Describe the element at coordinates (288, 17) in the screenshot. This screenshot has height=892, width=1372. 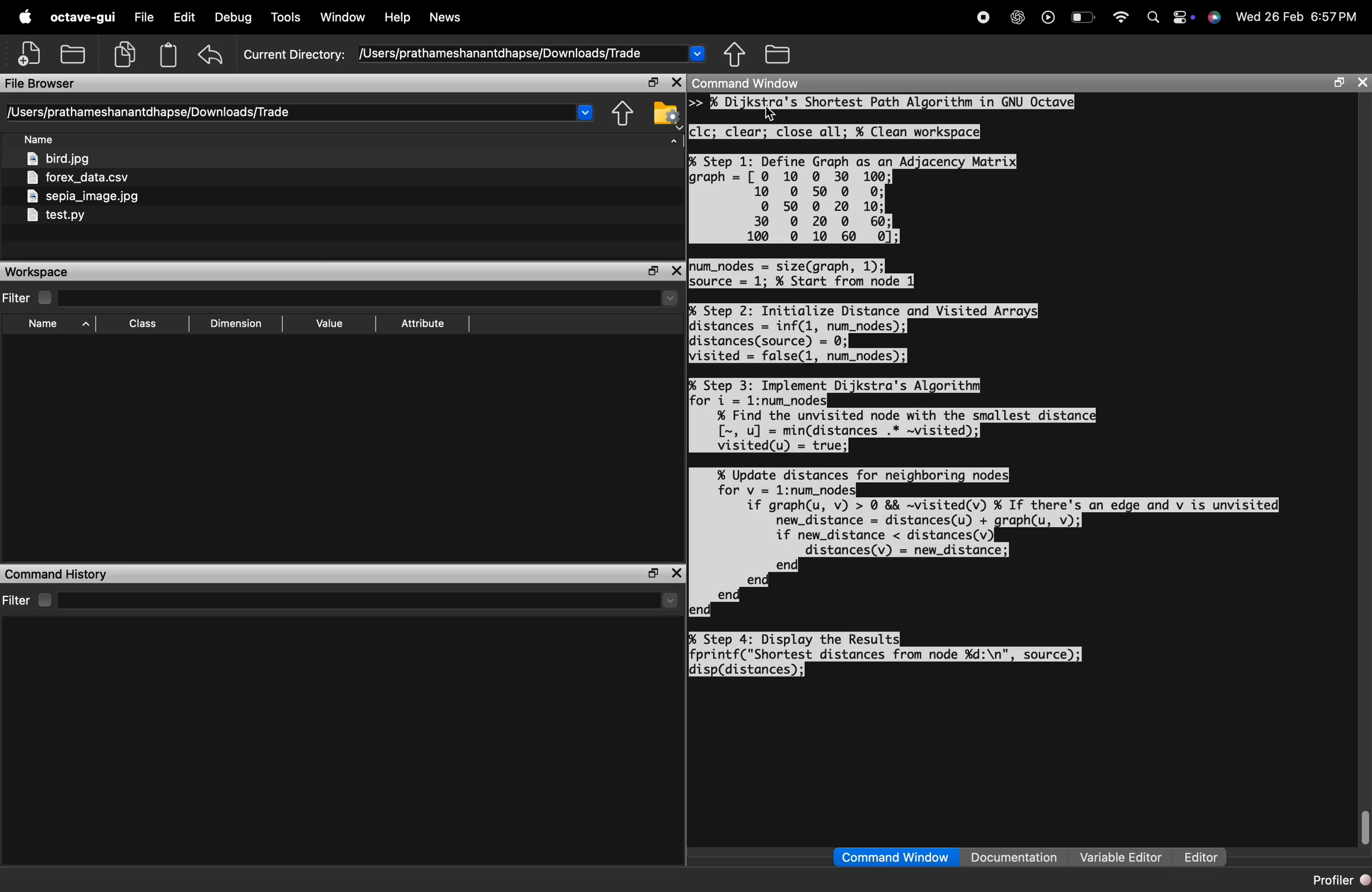
I see `tools` at that location.